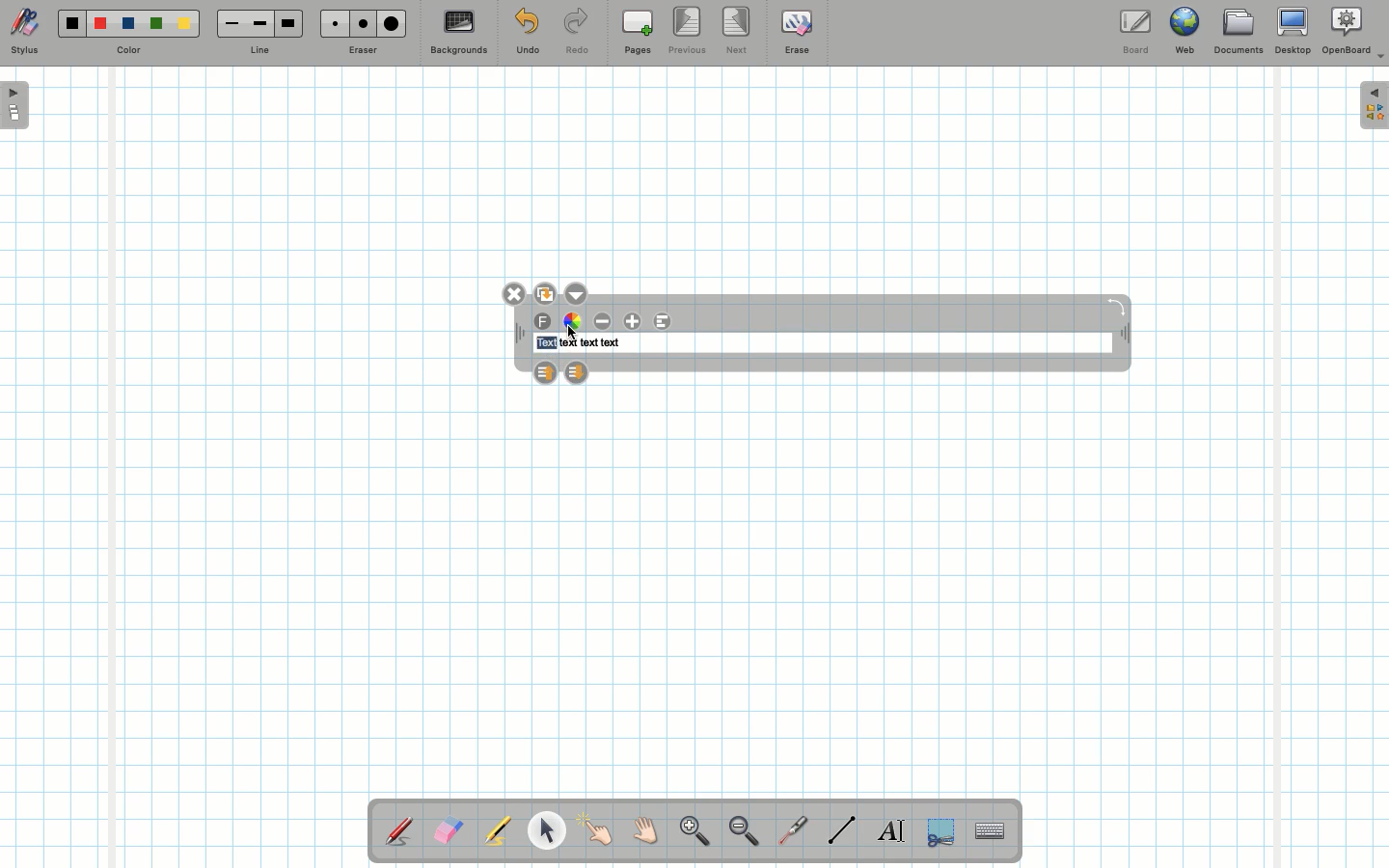  Describe the element at coordinates (1134, 32) in the screenshot. I see `Board` at that location.